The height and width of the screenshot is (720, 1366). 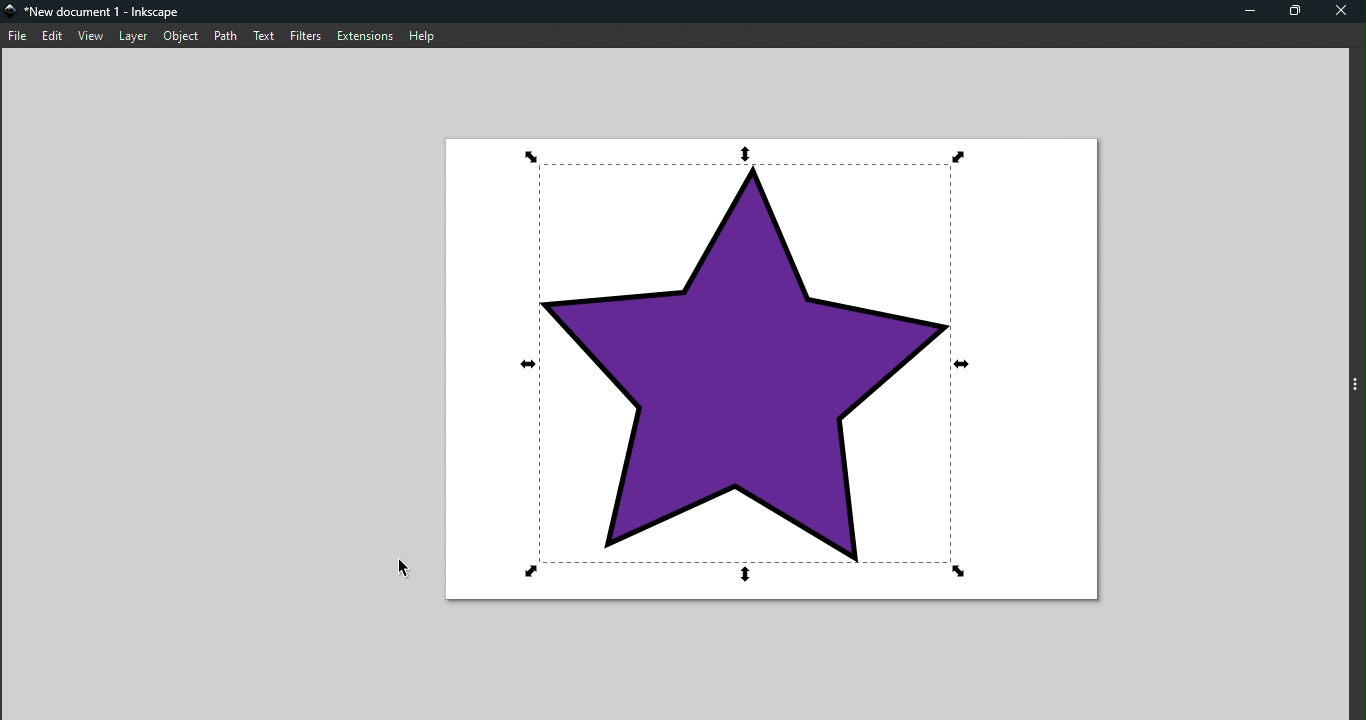 What do you see at coordinates (91, 37) in the screenshot?
I see `View` at bounding box center [91, 37].